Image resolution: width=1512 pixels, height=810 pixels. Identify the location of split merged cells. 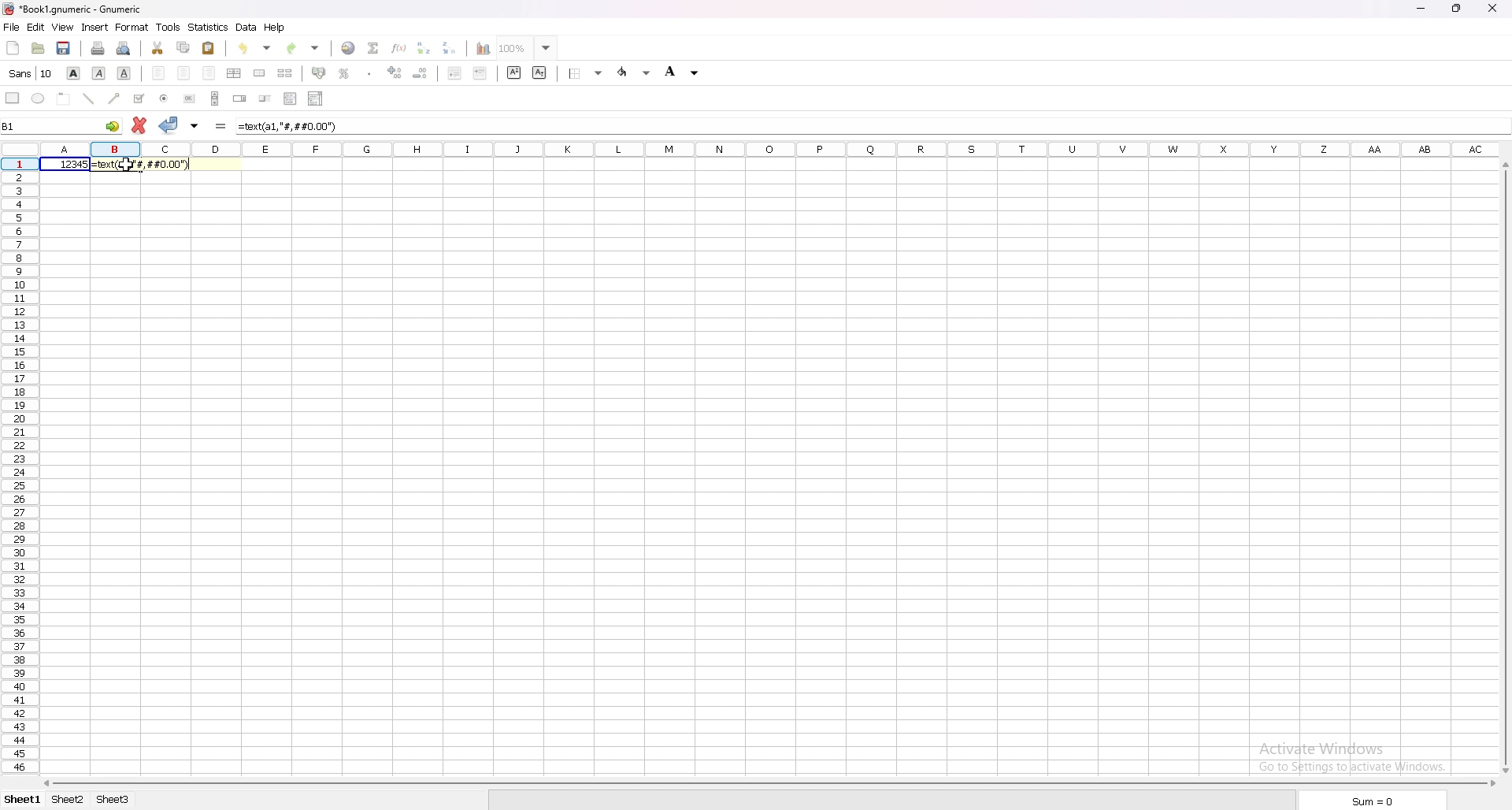
(286, 73).